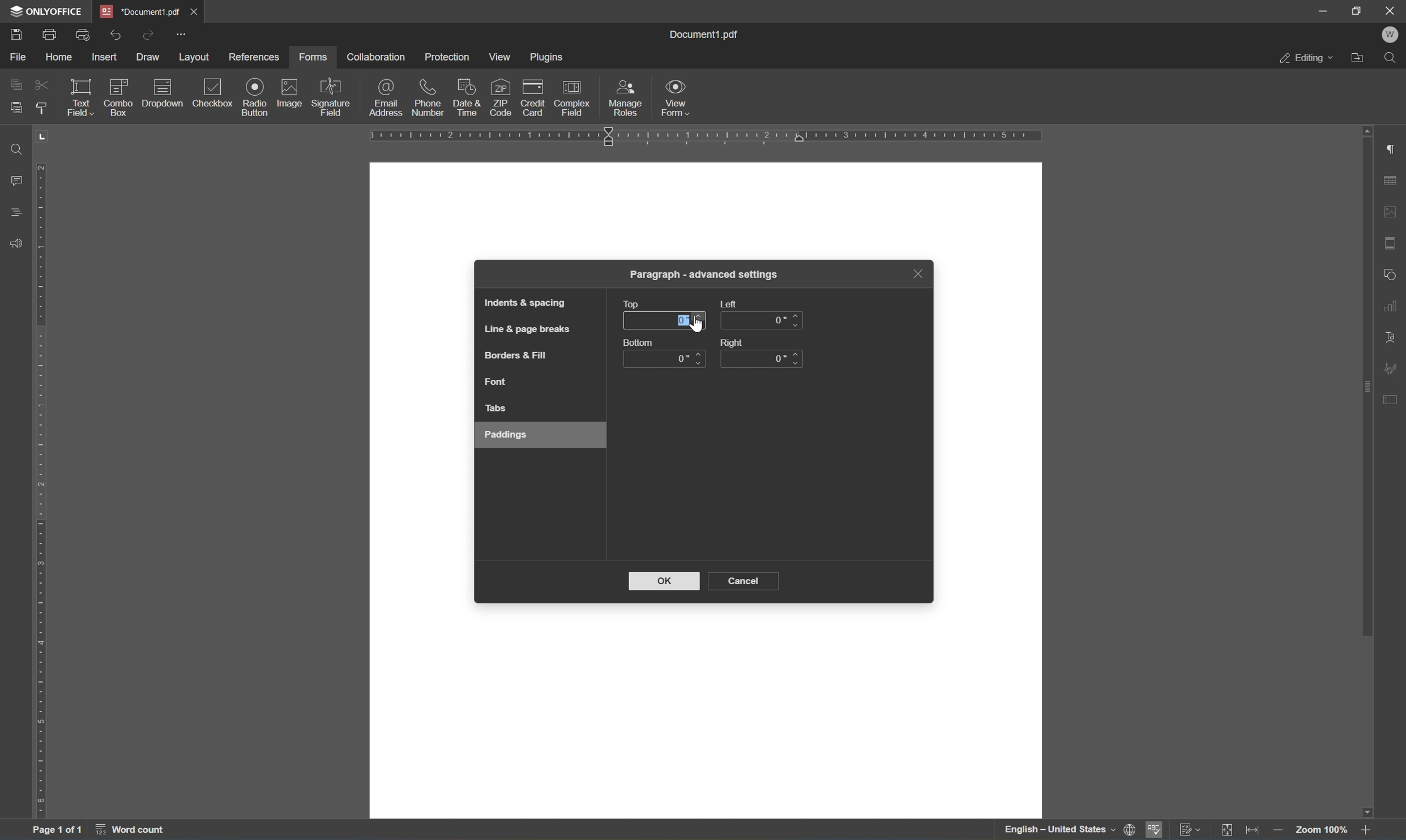 The image size is (1406, 840). I want to click on signature field, so click(331, 98).